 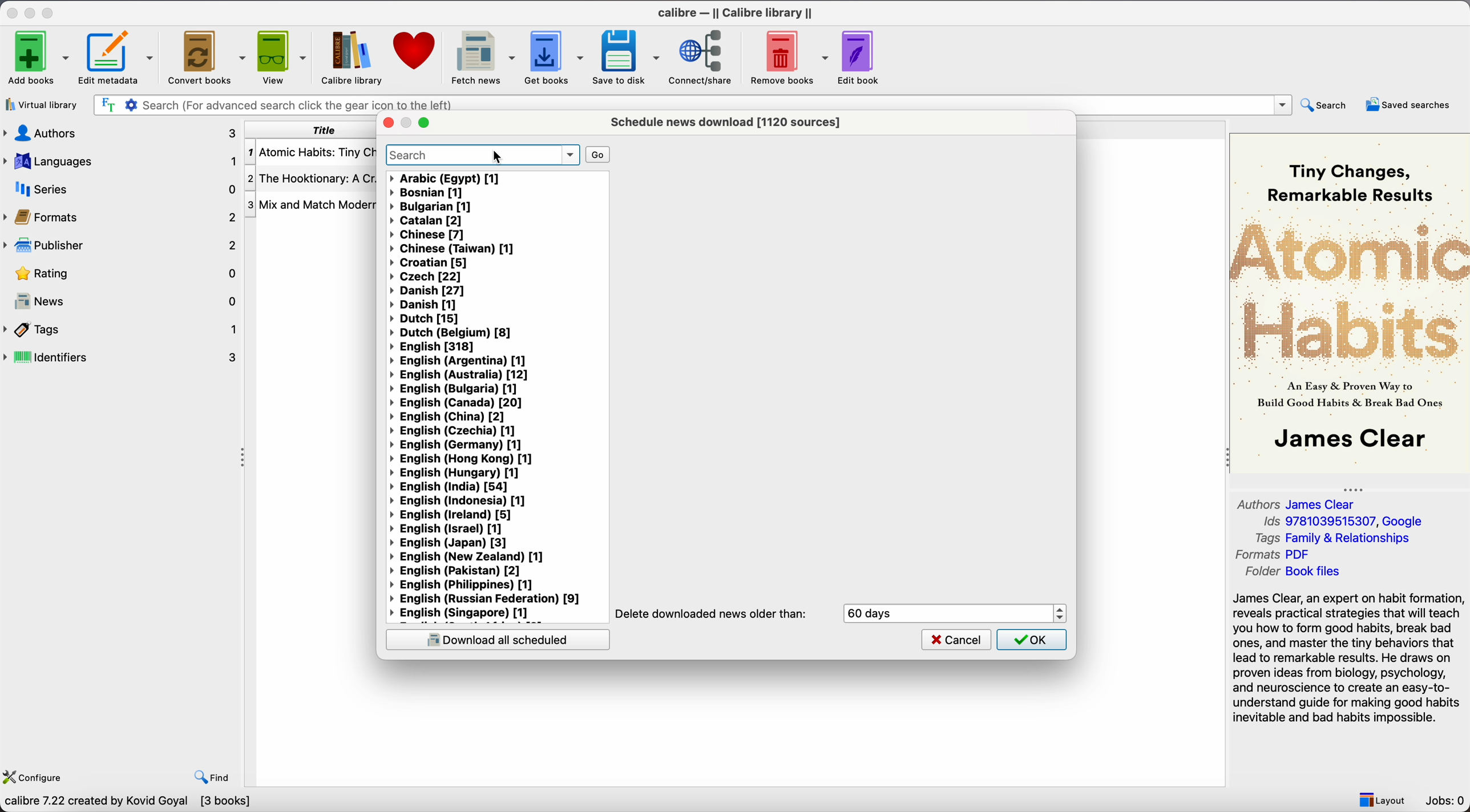 What do you see at coordinates (1326, 106) in the screenshot?
I see `search` at bounding box center [1326, 106].